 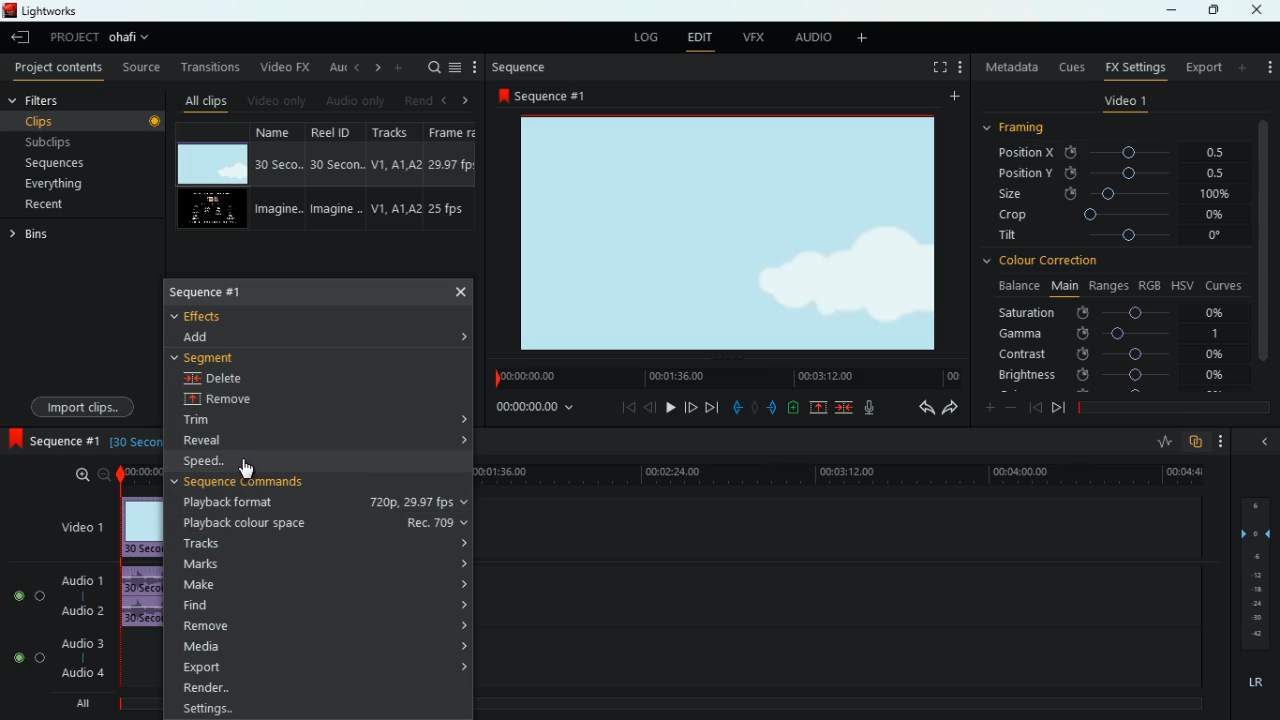 What do you see at coordinates (398, 67) in the screenshot?
I see `more` at bounding box center [398, 67].